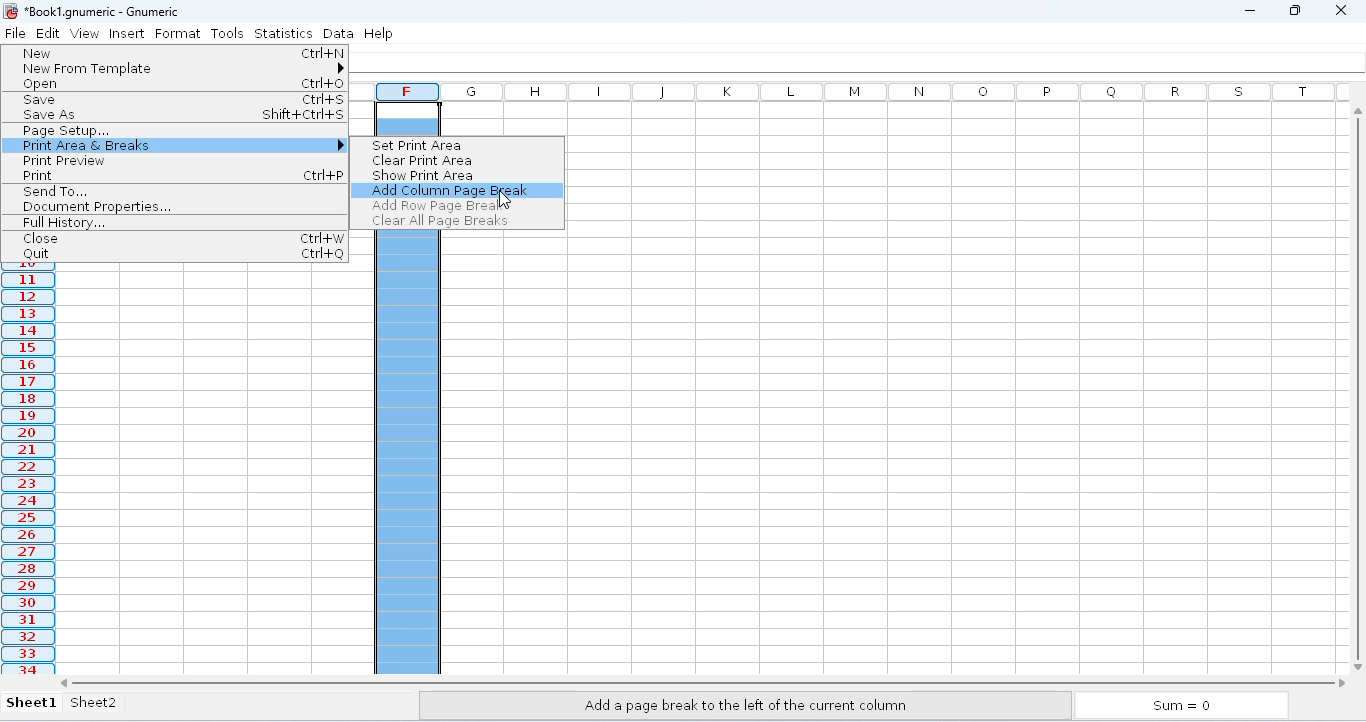 The width and height of the screenshot is (1366, 722). I want to click on shortcut for save as, so click(304, 114).